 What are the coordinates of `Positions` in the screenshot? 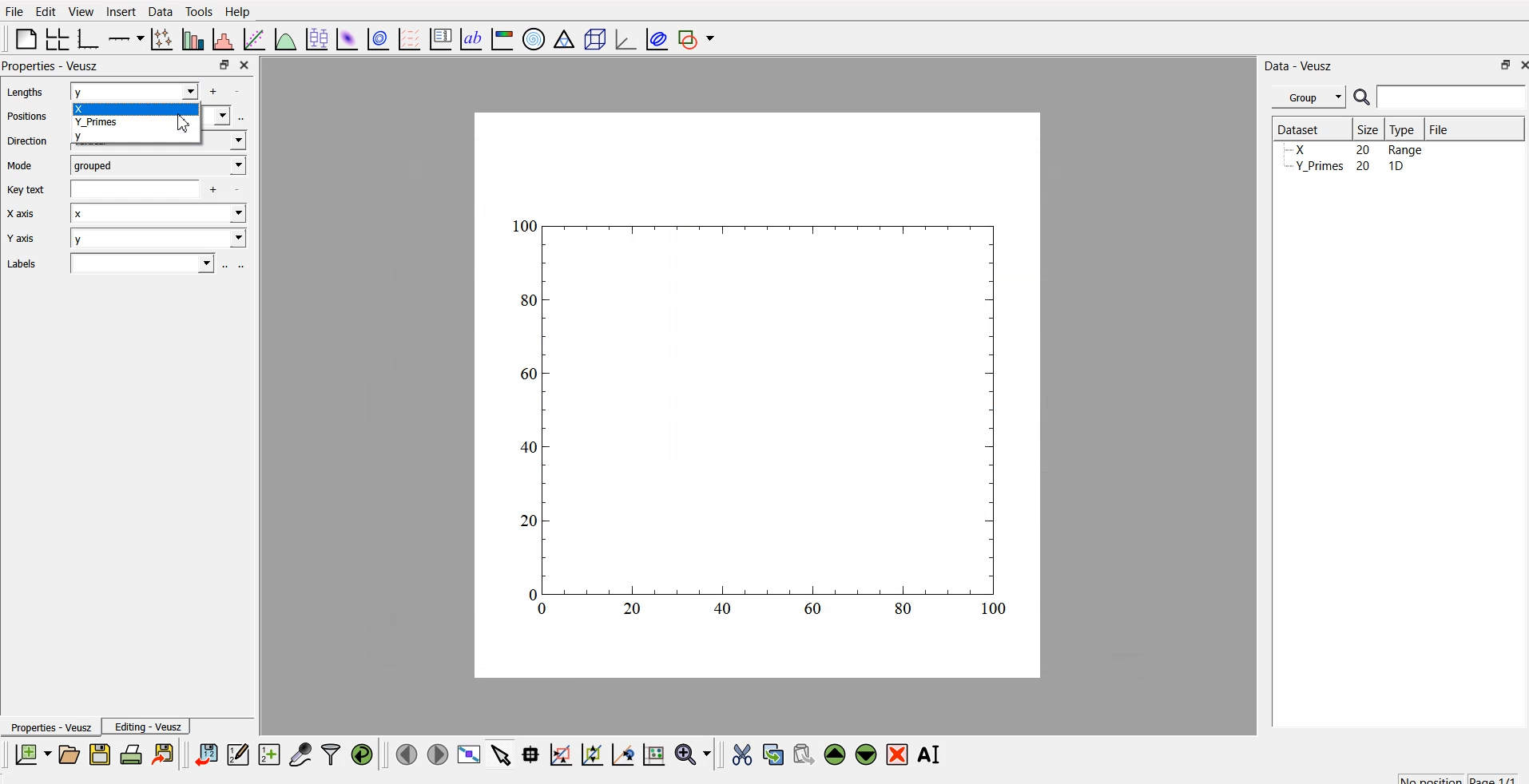 It's located at (30, 117).